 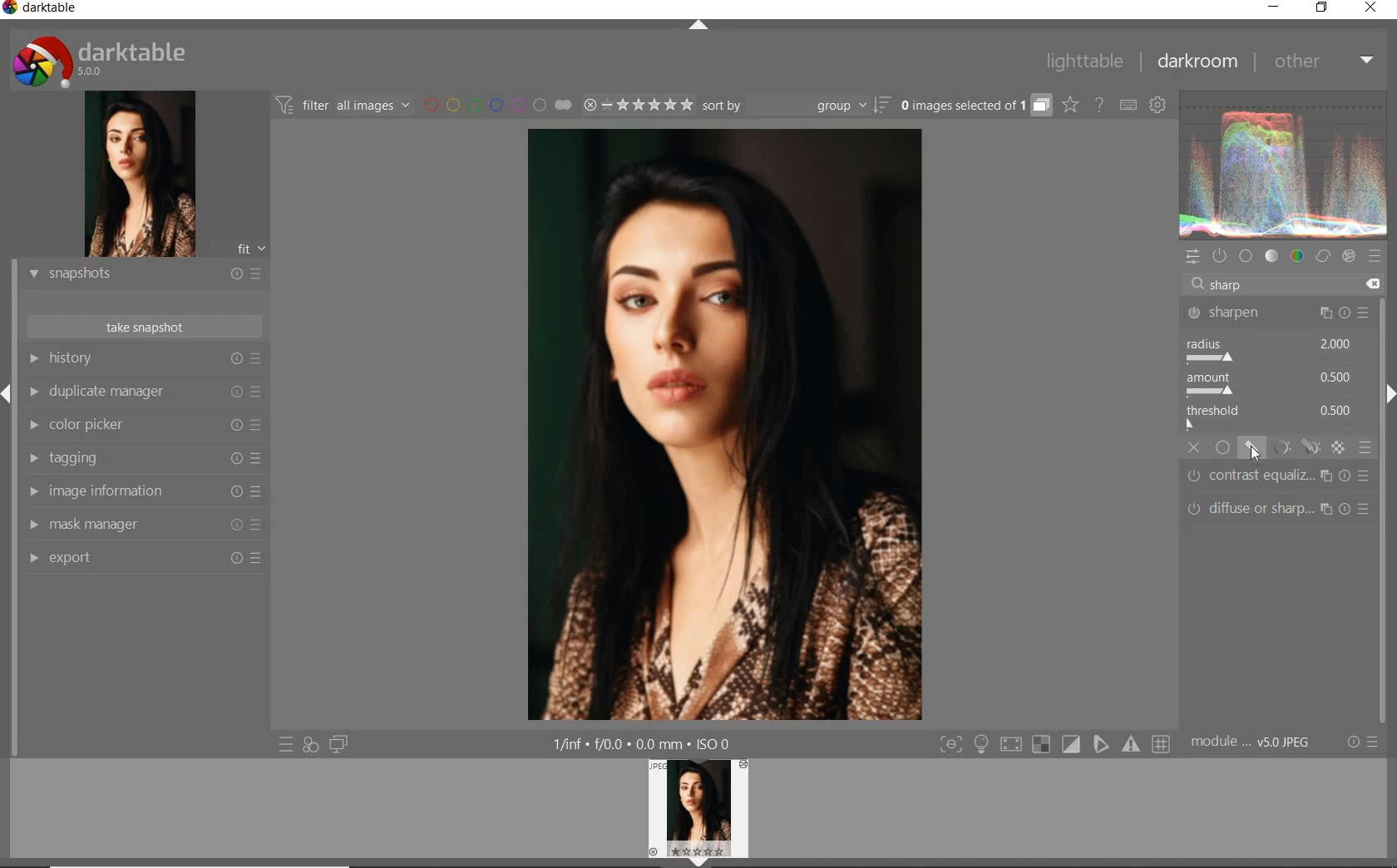 What do you see at coordinates (1251, 741) in the screenshot?
I see `module..v50JPEG` at bounding box center [1251, 741].